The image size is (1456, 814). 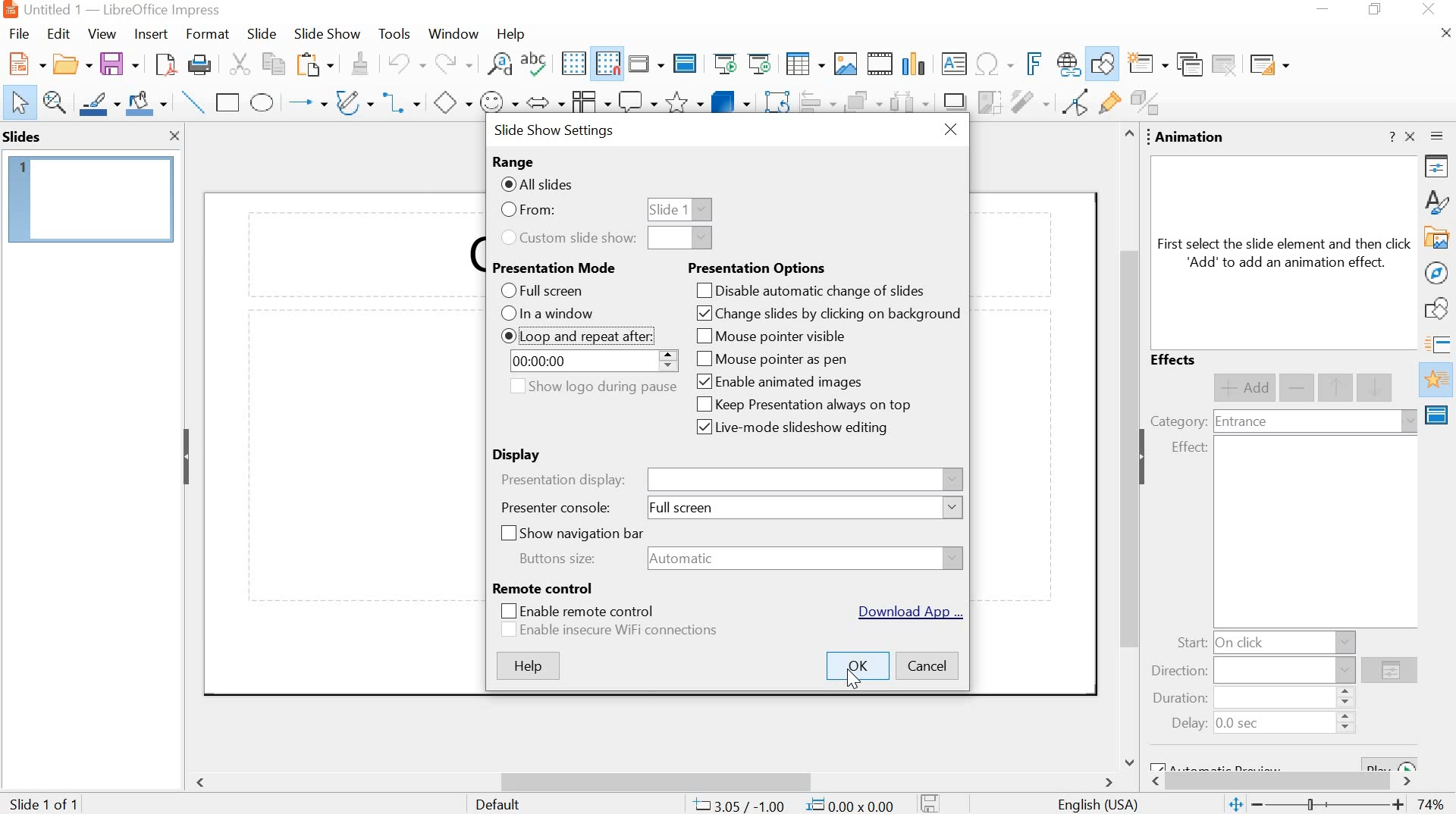 What do you see at coordinates (24, 64) in the screenshot?
I see `new` at bounding box center [24, 64].